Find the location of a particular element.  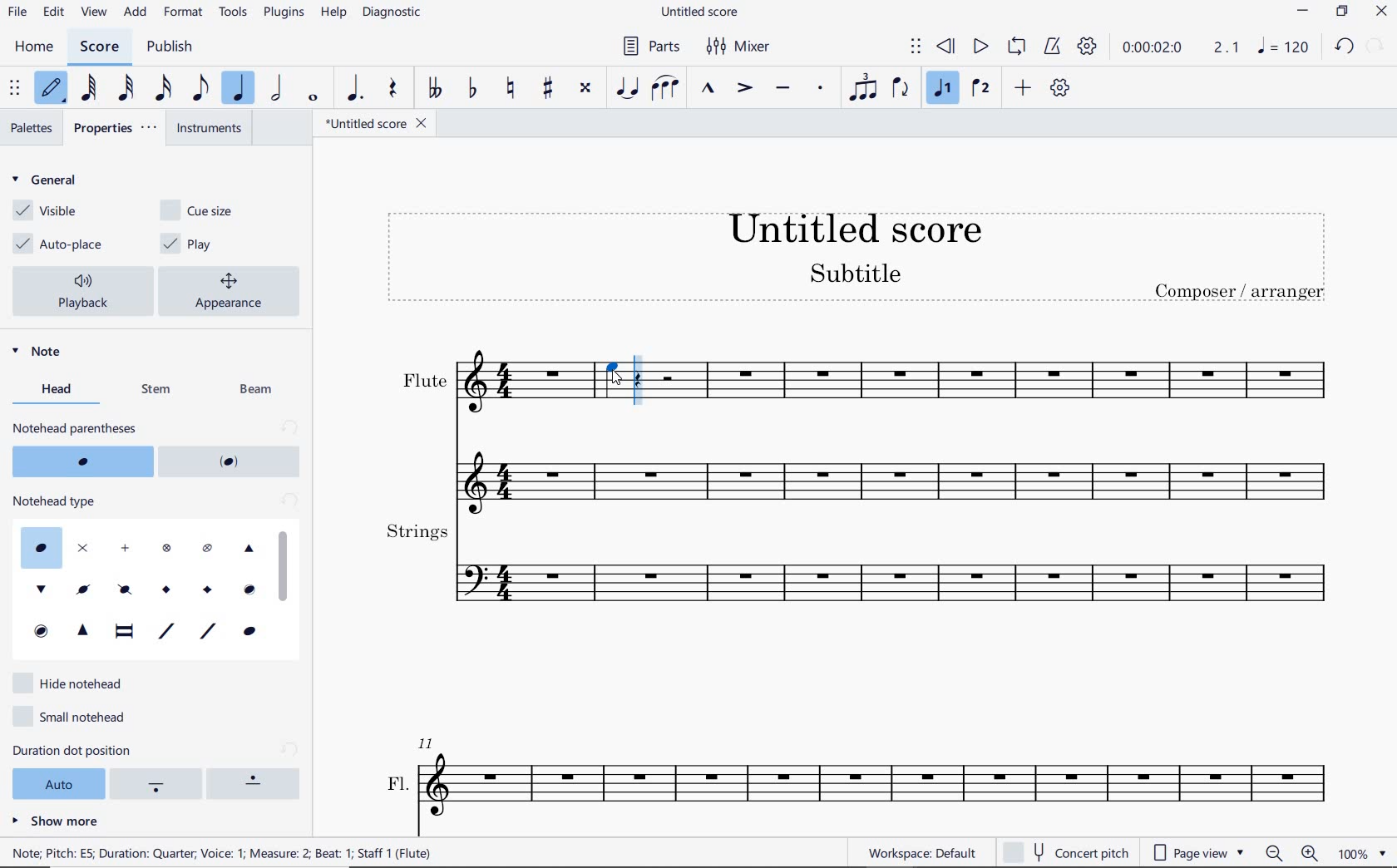

PLAY TIME is located at coordinates (1182, 50).